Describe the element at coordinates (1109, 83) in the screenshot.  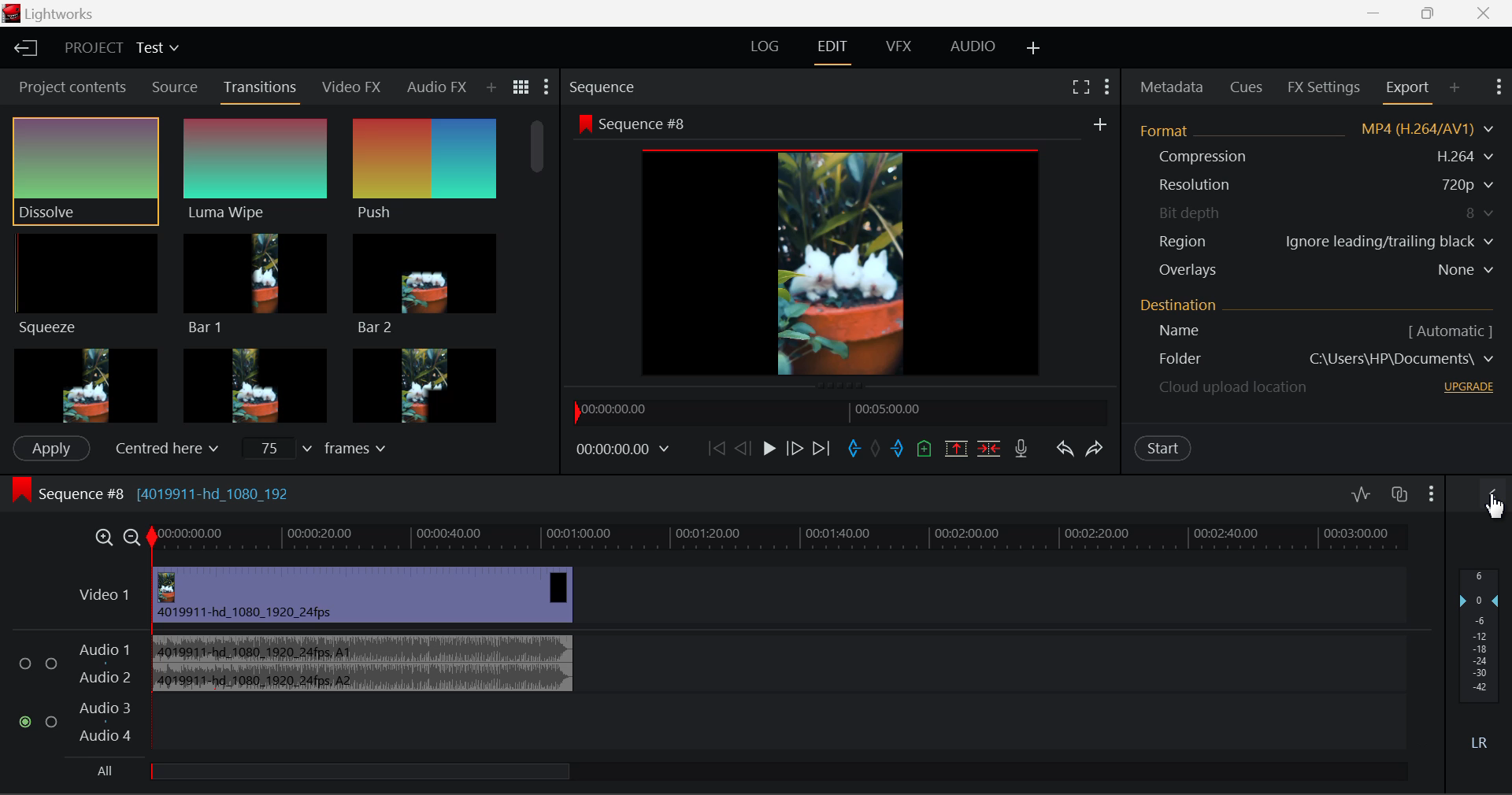
I see `Show Settings` at that location.